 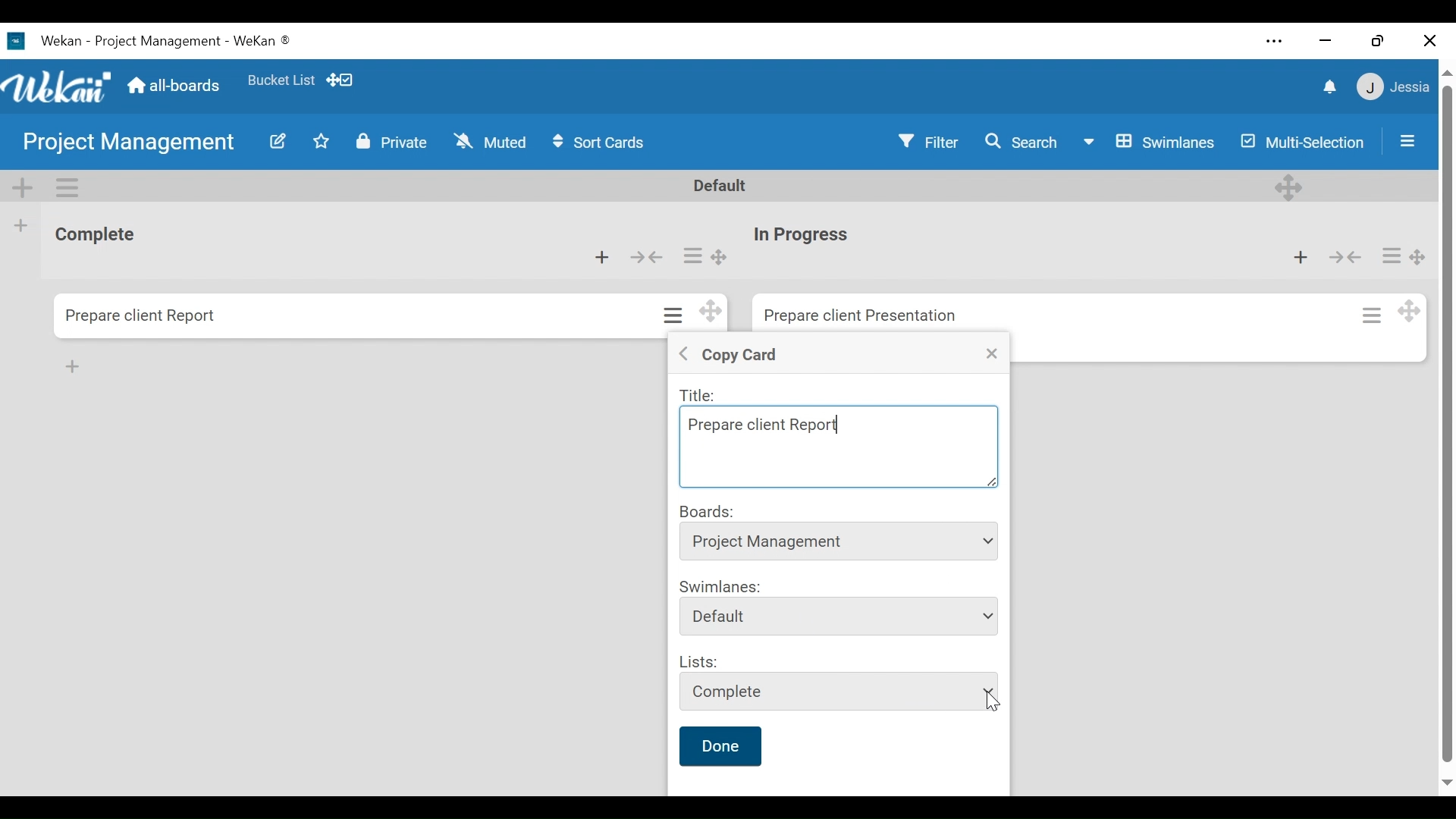 What do you see at coordinates (1411, 309) in the screenshot?
I see `Desktop drag handle` at bounding box center [1411, 309].